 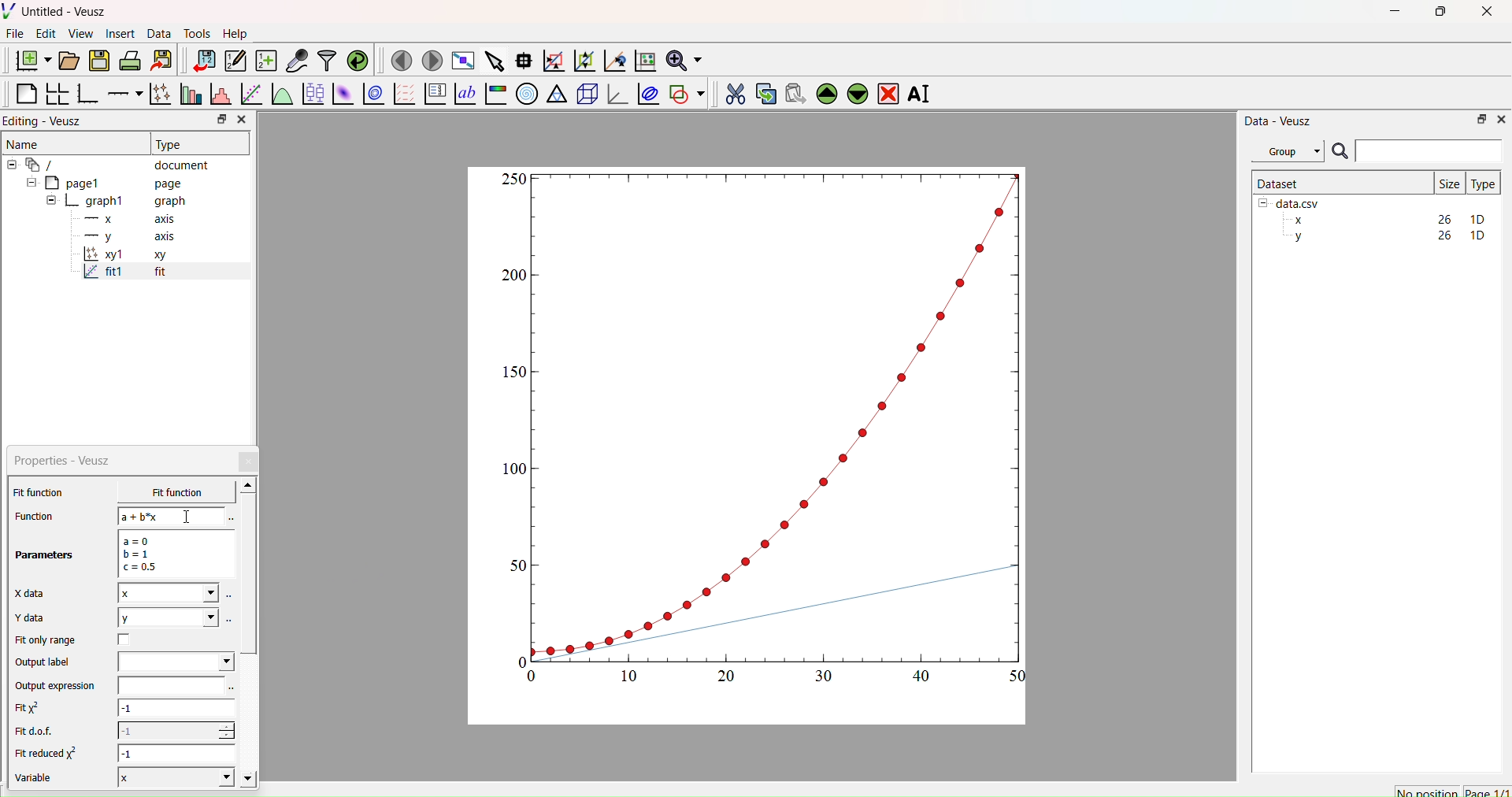 I want to click on Type, so click(x=171, y=144).